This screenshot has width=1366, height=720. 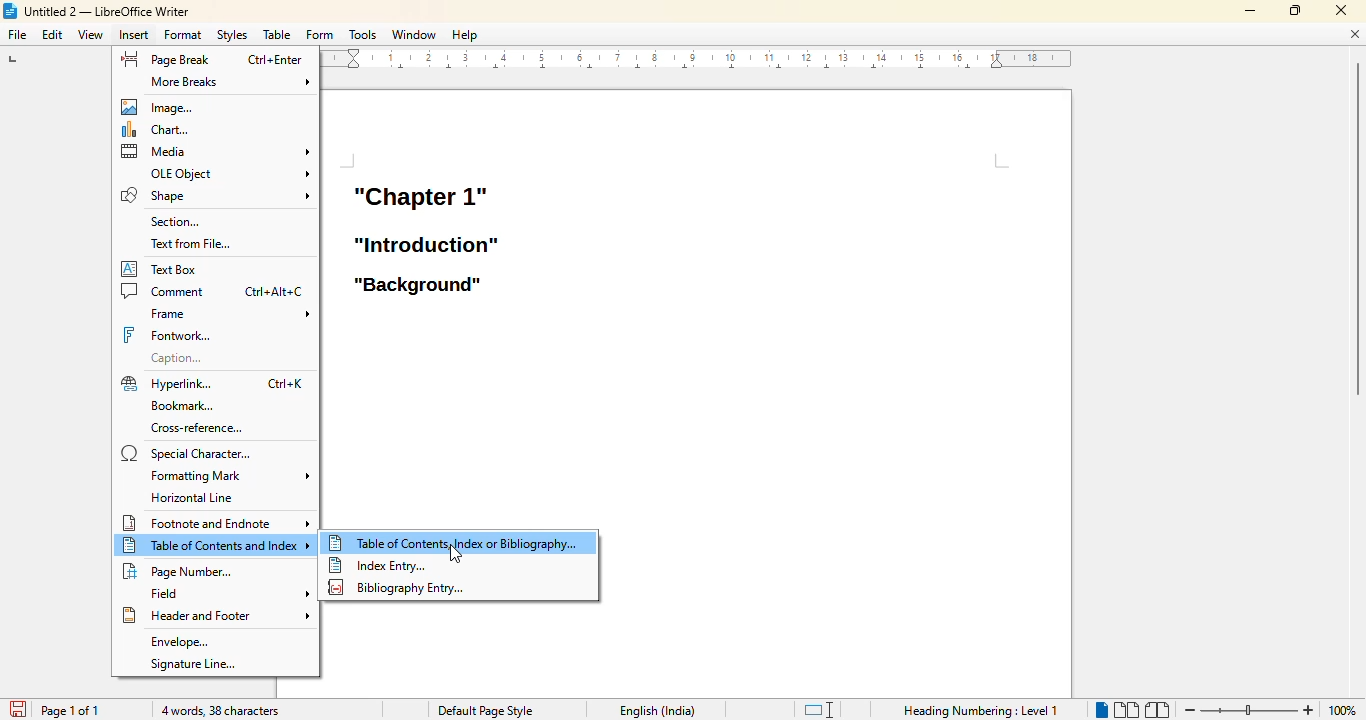 I want to click on zoom in, so click(x=1309, y=710).